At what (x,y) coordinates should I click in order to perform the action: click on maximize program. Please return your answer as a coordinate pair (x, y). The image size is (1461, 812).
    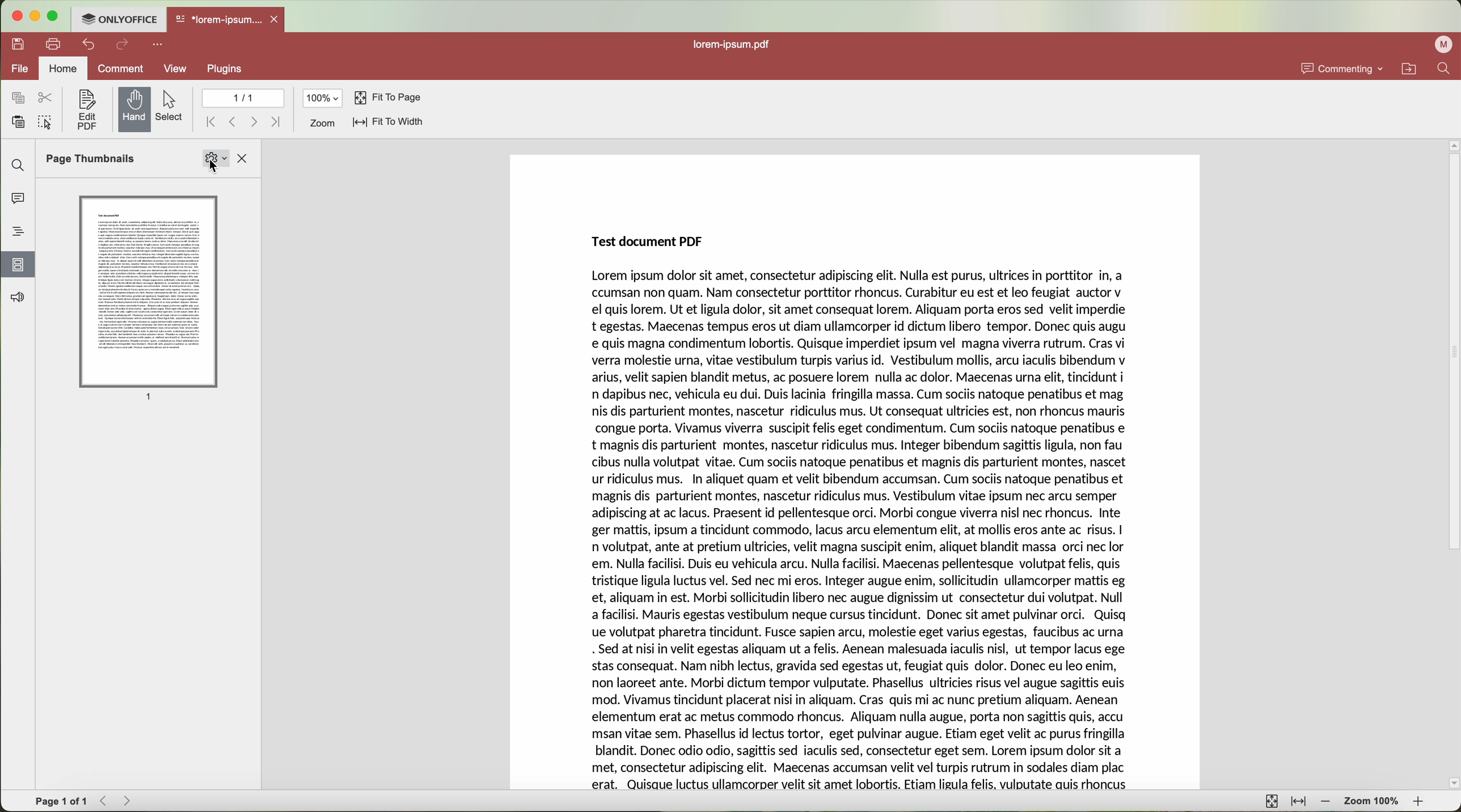
    Looking at the image, I should click on (53, 16).